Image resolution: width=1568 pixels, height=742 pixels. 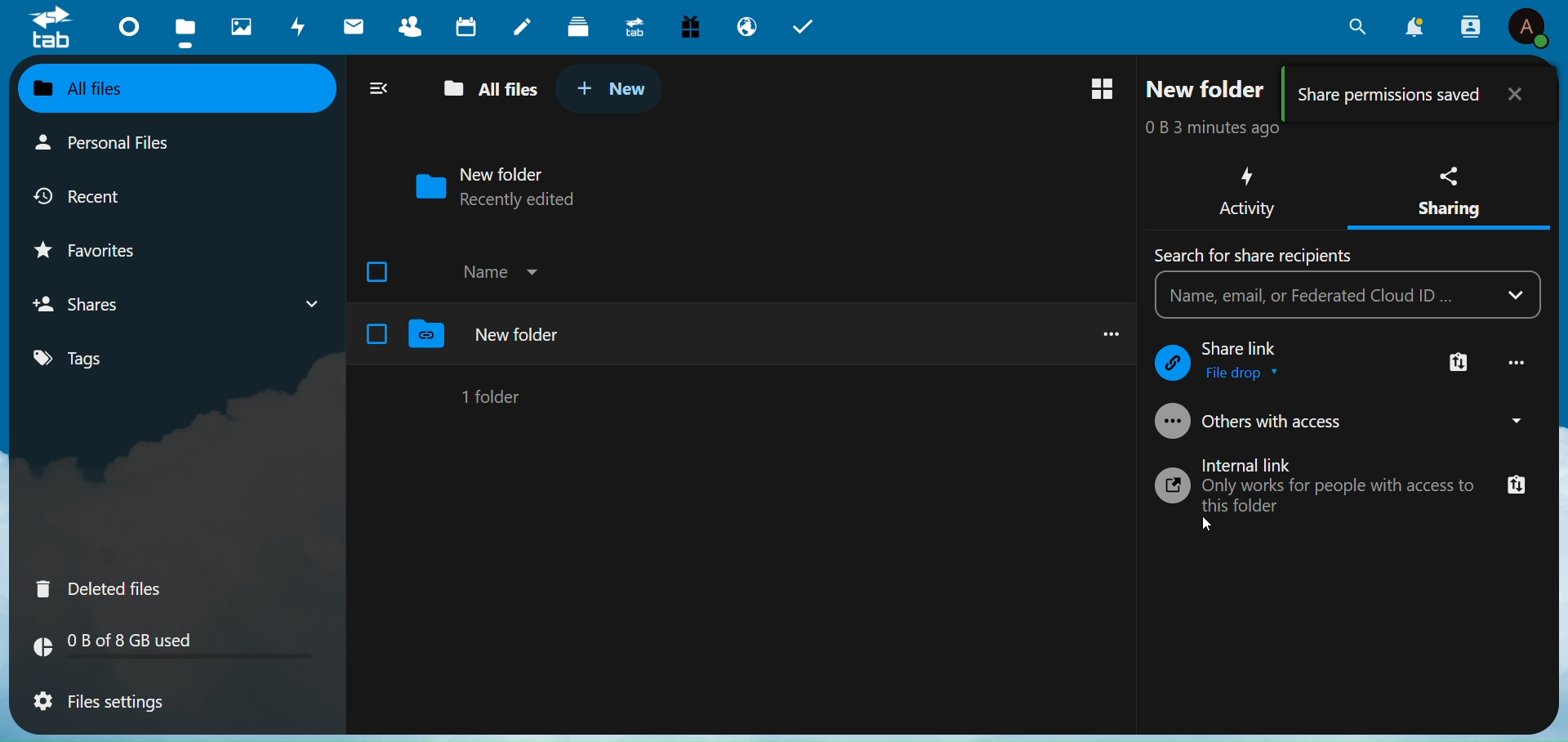 What do you see at coordinates (305, 301) in the screenshot?
I see `Shares drop down` at bounding box center [305, 301].